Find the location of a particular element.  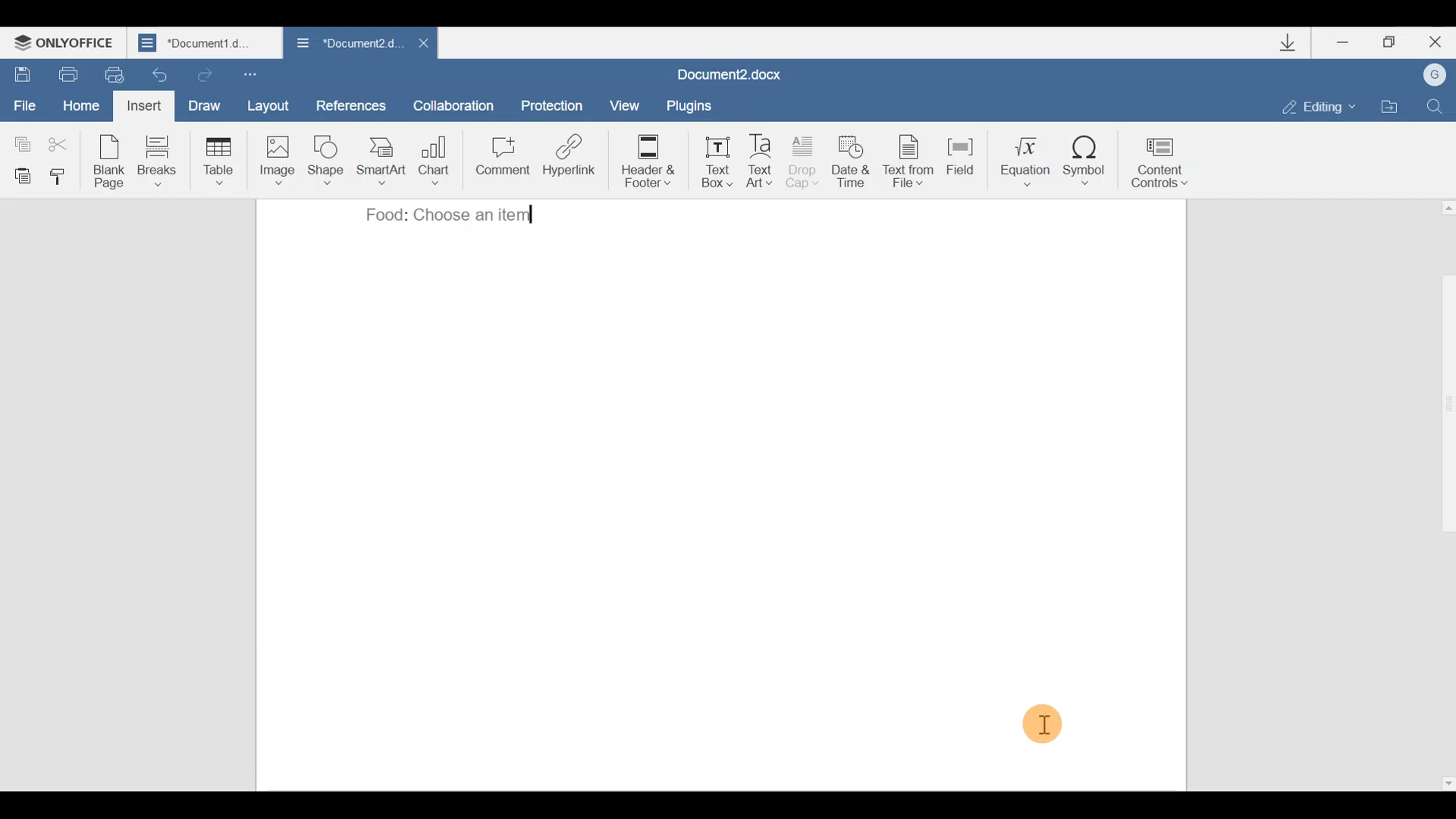

Blank page is located at coordinates (111, 160).